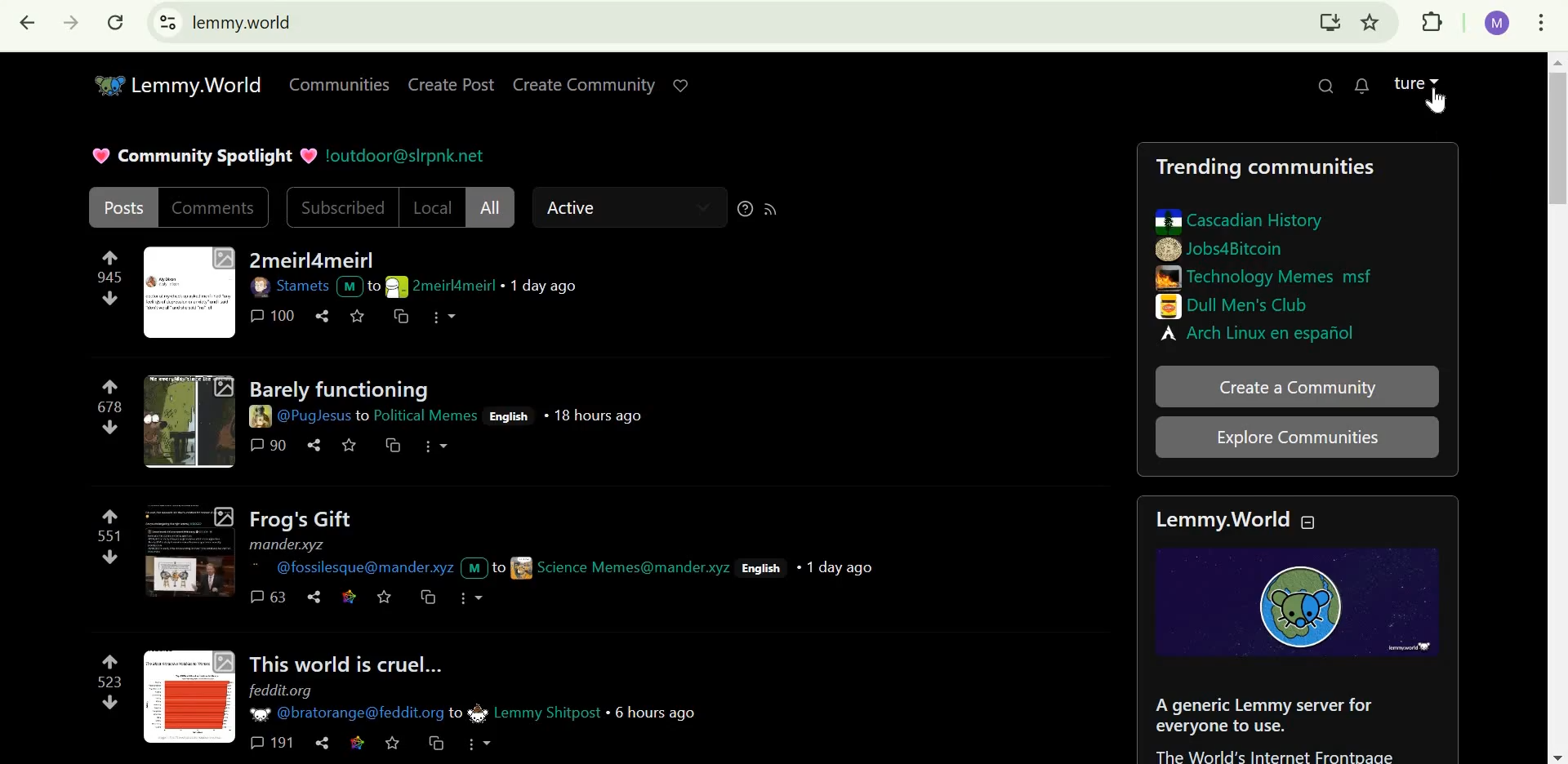  I want to click on expand, so click(1438, 78).